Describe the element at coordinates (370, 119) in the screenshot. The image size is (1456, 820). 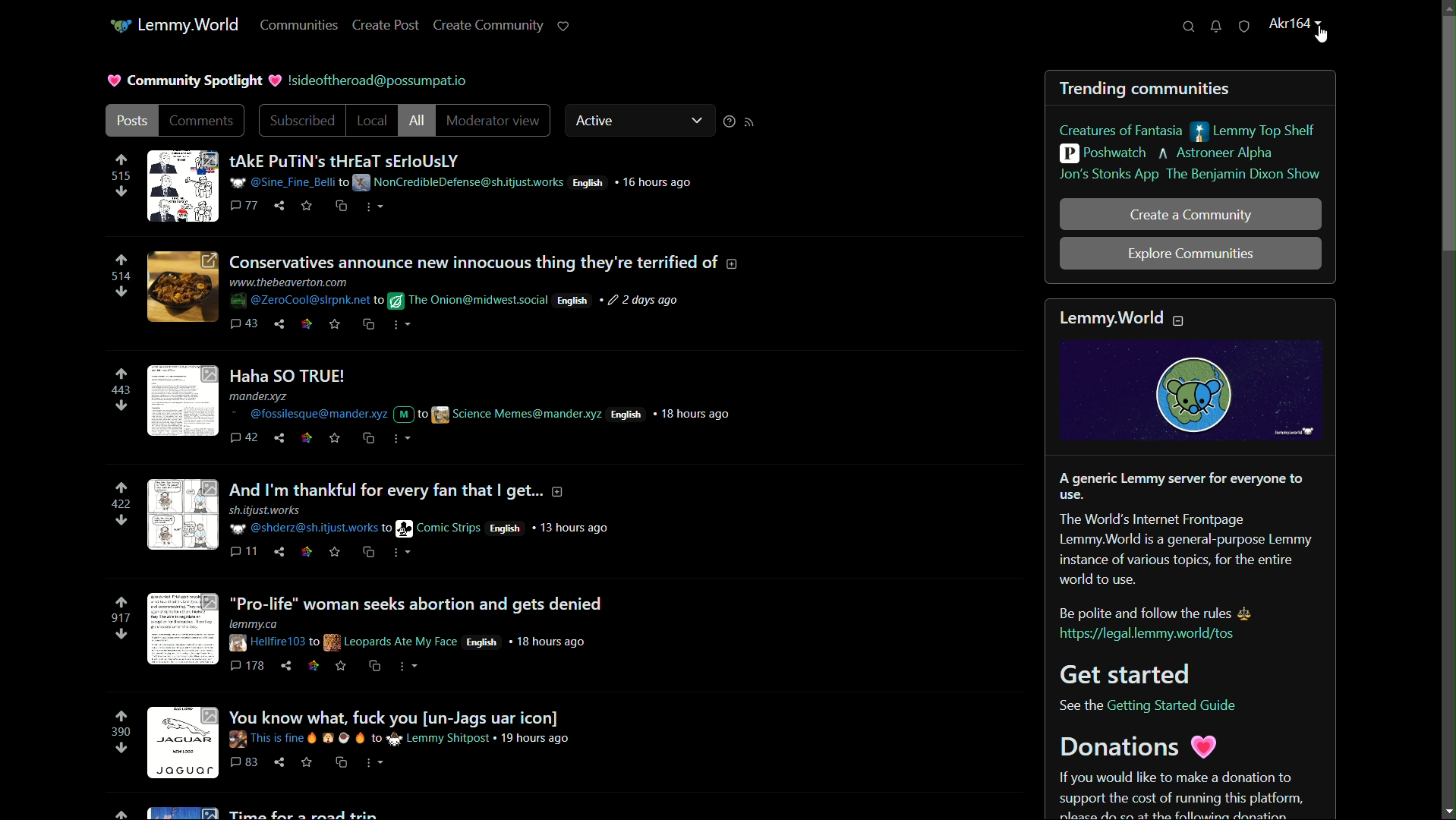
I see `local` at that location.